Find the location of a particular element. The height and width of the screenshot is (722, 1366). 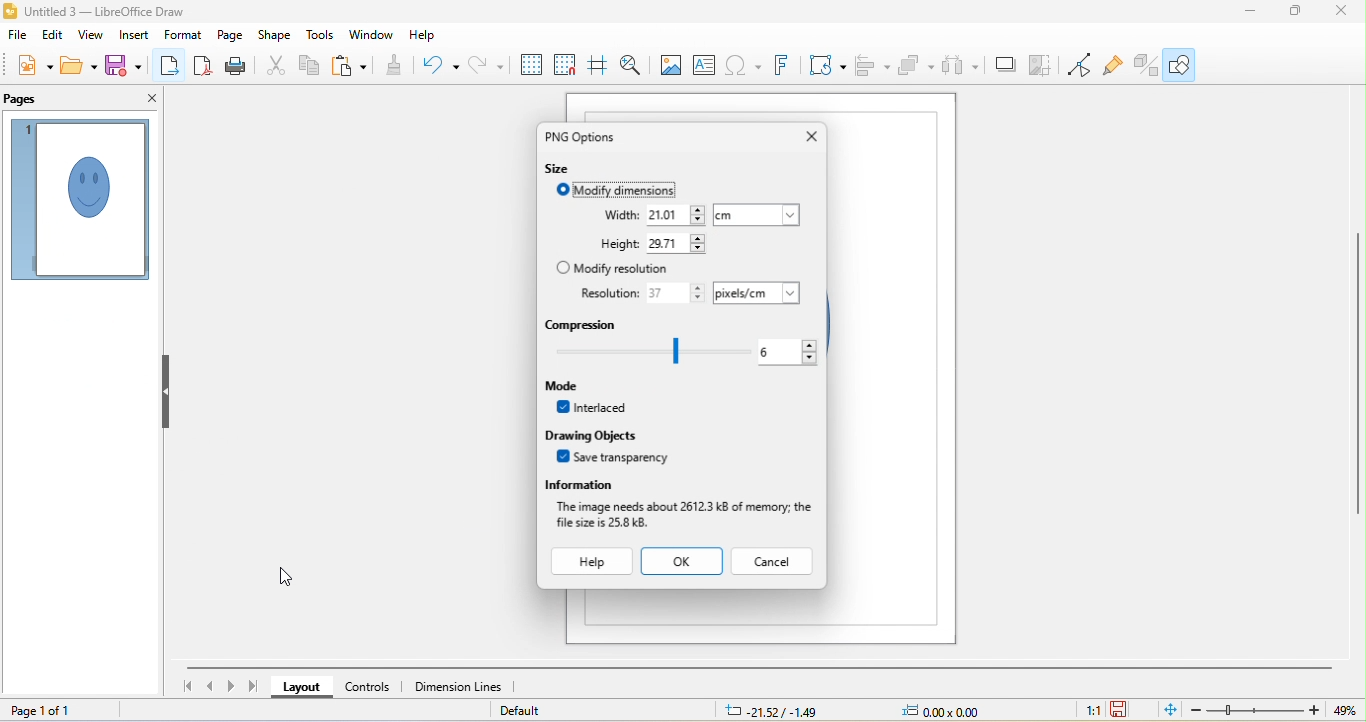

page view in page pane is located at coordinates (79, 200).